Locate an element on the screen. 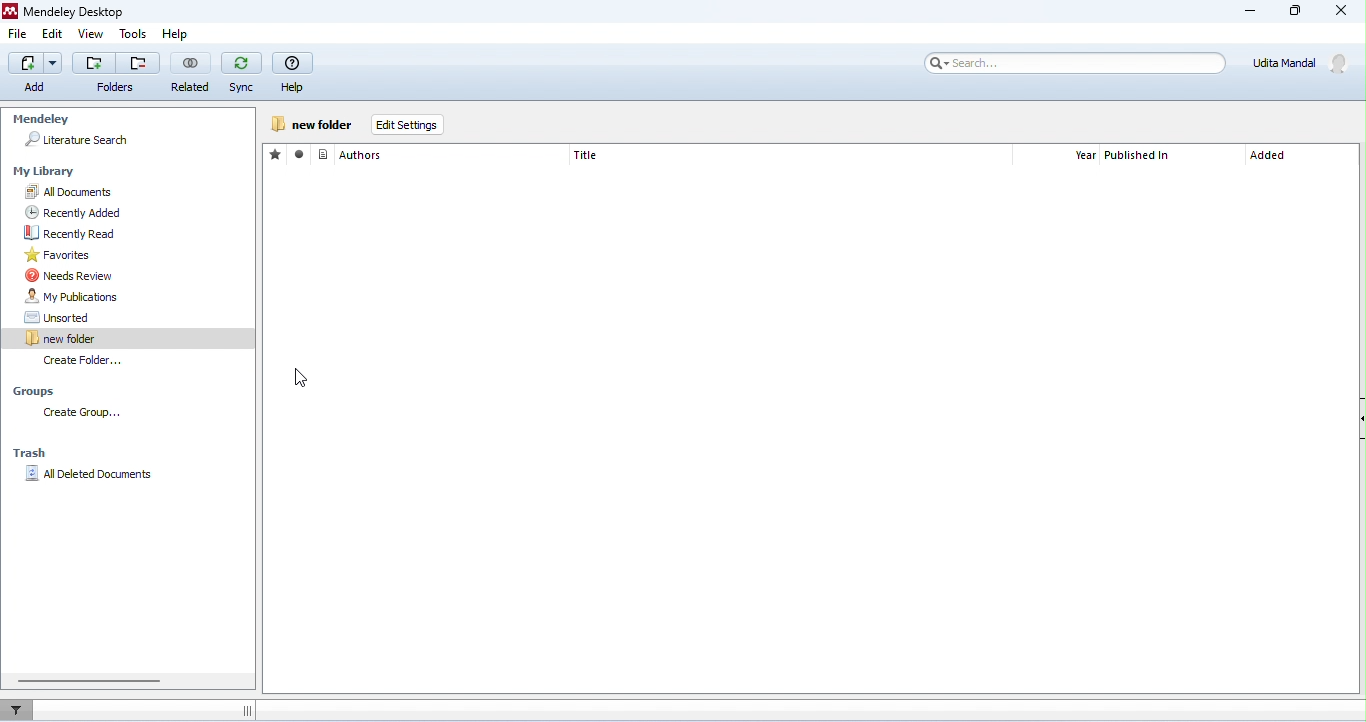  sync is located at coordinates (241, 73).